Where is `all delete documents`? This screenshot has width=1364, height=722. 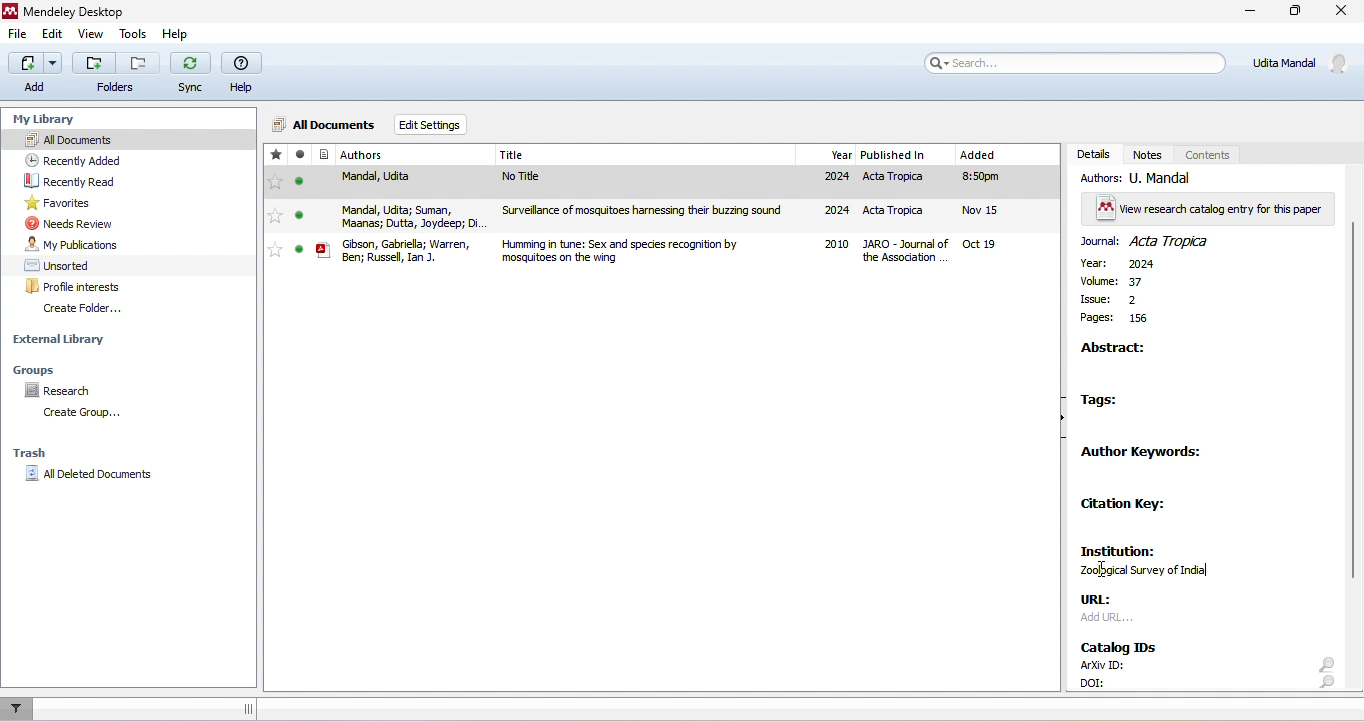 all delete documents is located at coordinates (89, 474).